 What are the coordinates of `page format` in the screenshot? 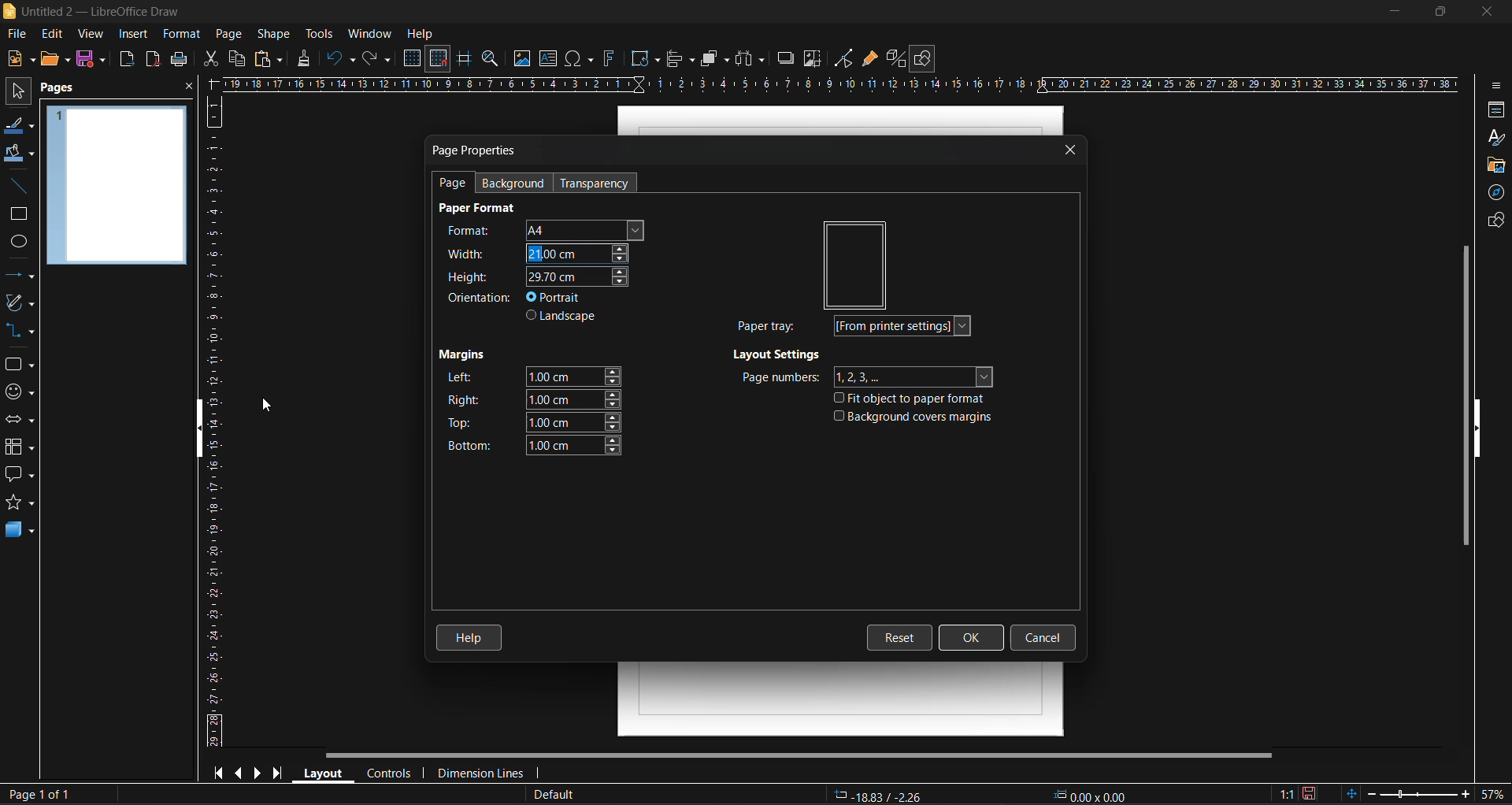 It's located at (481, 208).